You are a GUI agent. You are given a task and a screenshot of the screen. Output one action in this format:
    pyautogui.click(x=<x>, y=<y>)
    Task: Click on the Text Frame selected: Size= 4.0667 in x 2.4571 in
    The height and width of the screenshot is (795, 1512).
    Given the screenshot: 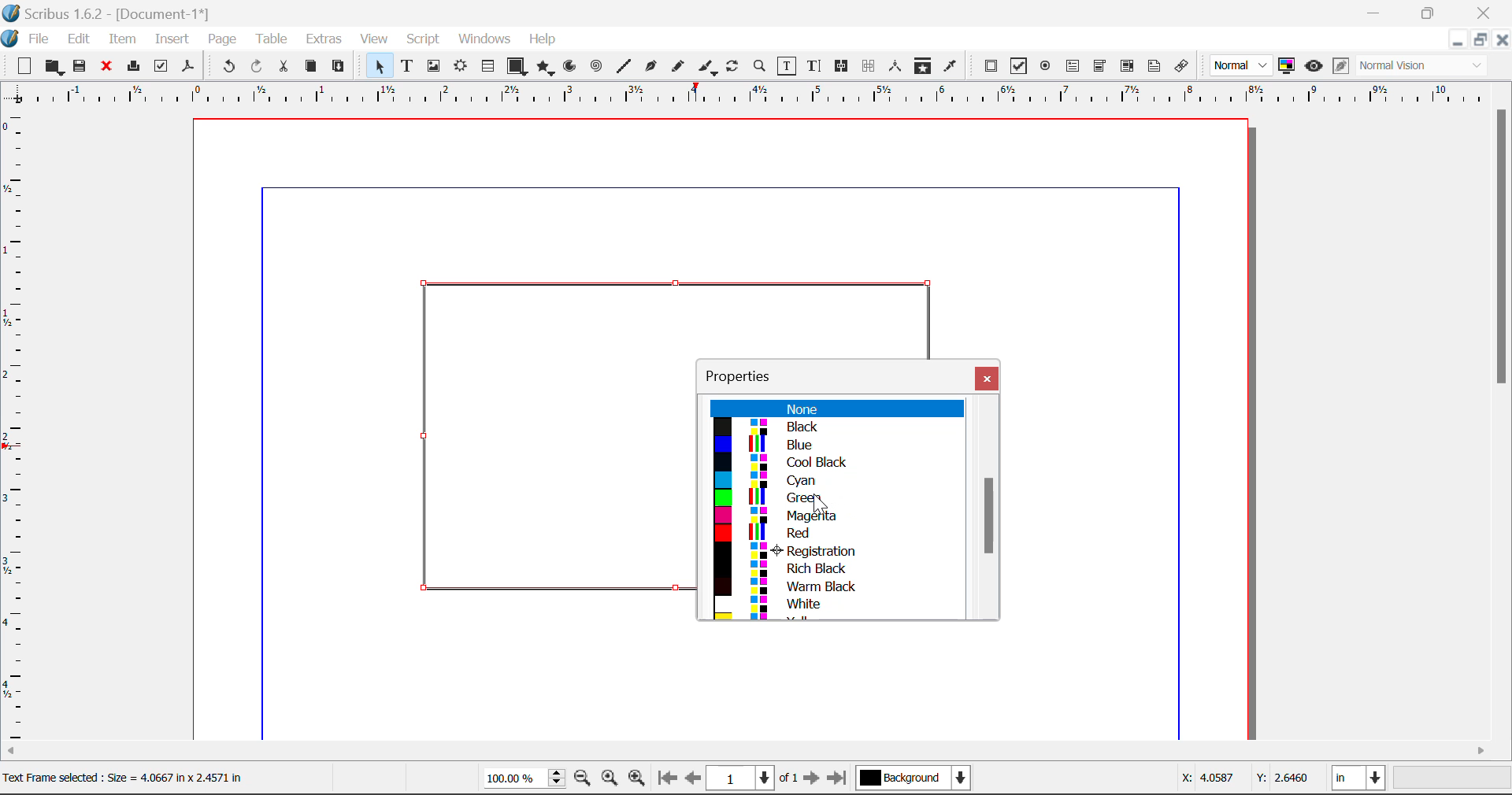 What is the action you would take?
    pyautogui.click(x=123, y=776)
    